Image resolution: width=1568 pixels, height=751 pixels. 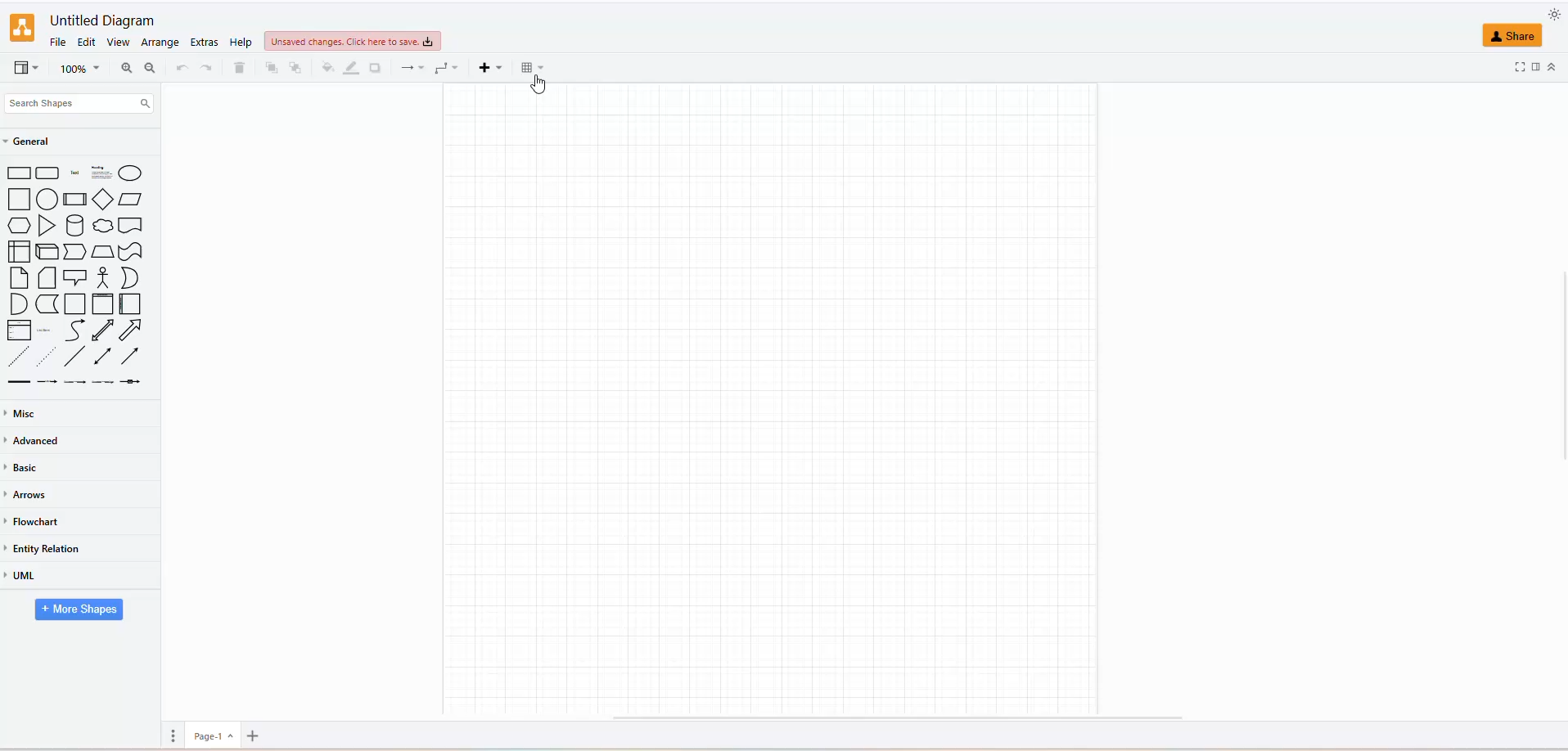 I want to click on table, so click(x=531, y=68).